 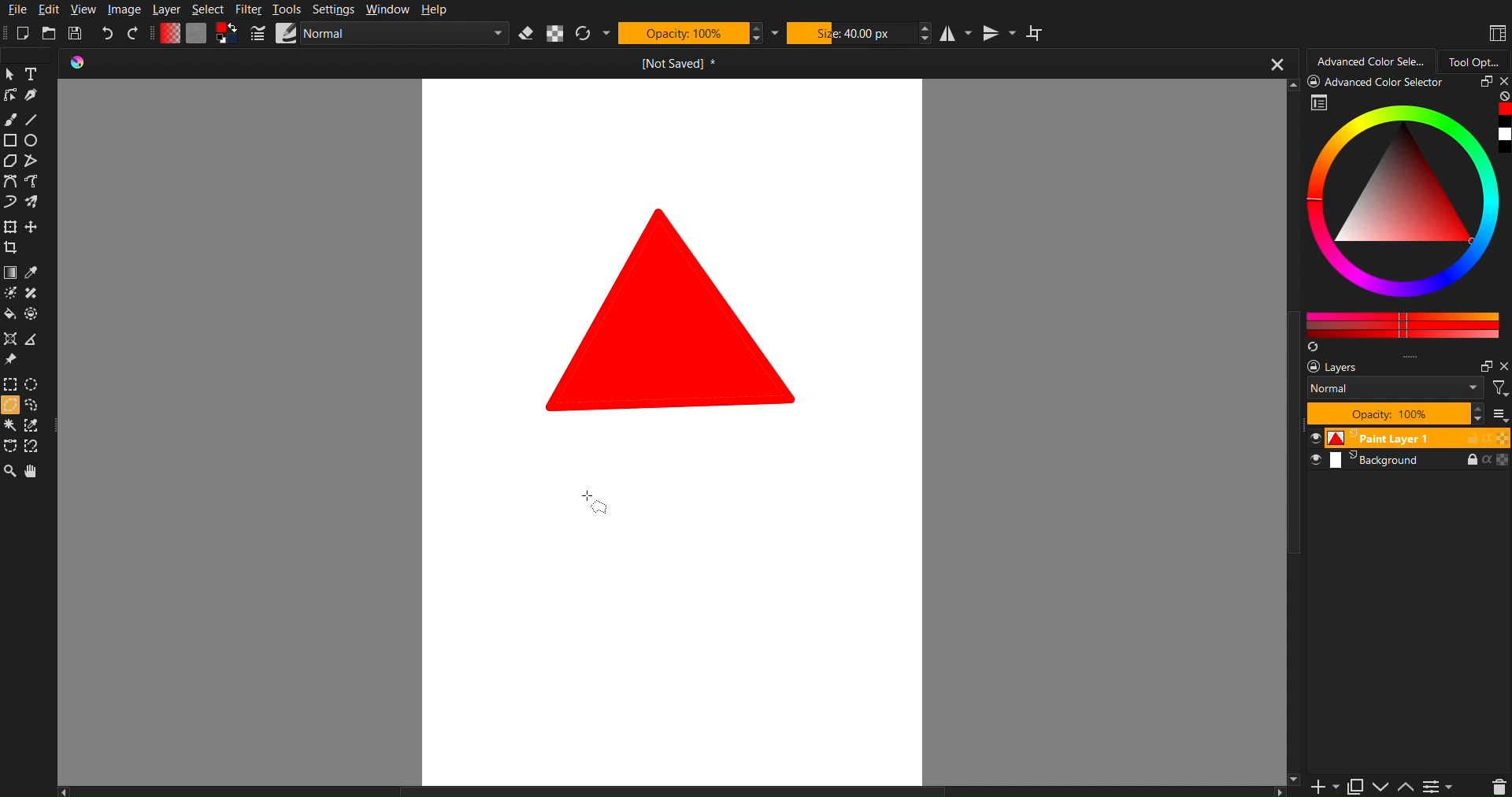 What do you see at coordinates (1406, 414) in the screenshot?
I see `Layers` at bounding box center [1406, 414].